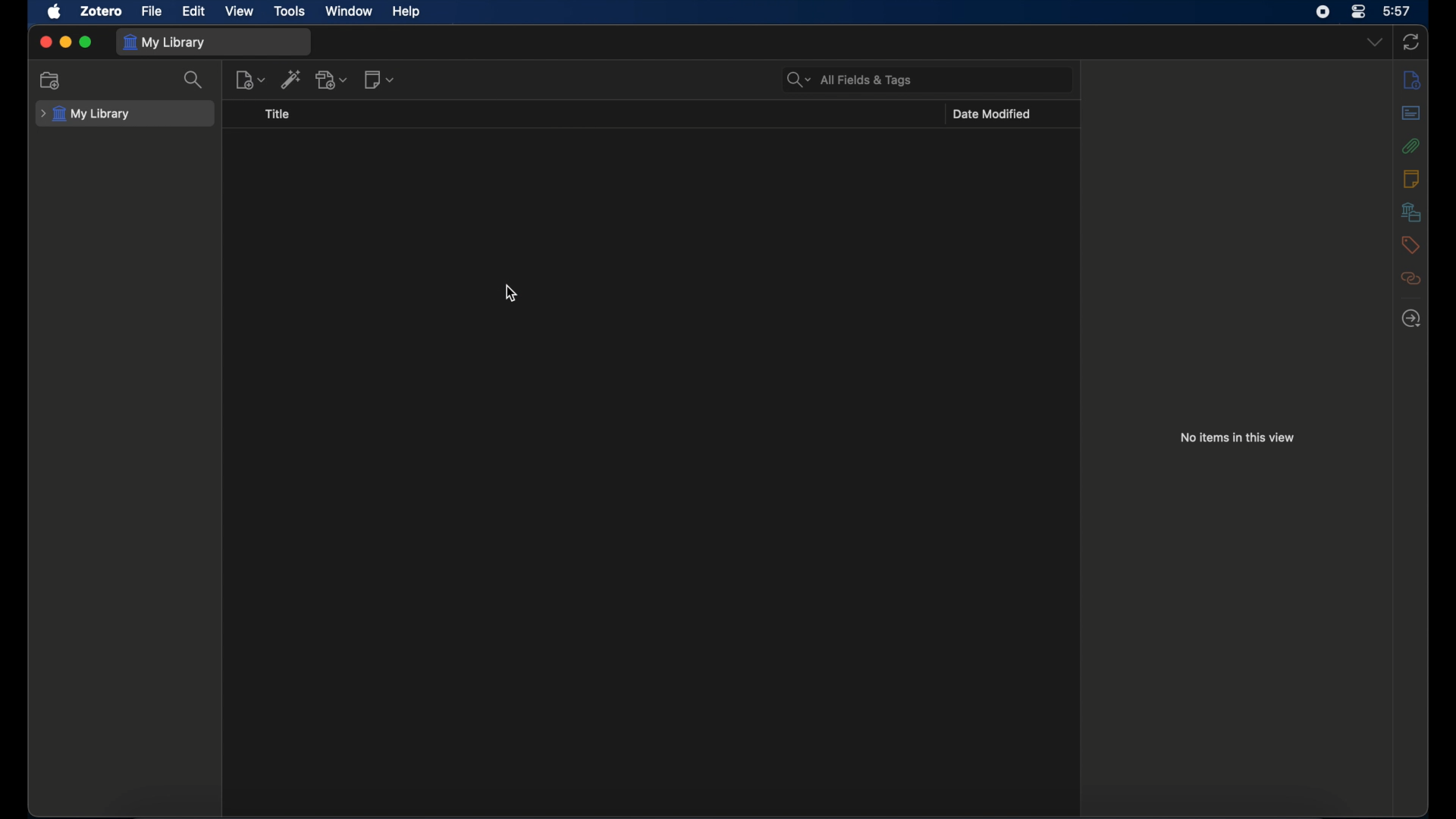 The image size is (1456, 819). Describe the element at coordinates (408, 12) in the screenshot. I see `help` at that location.